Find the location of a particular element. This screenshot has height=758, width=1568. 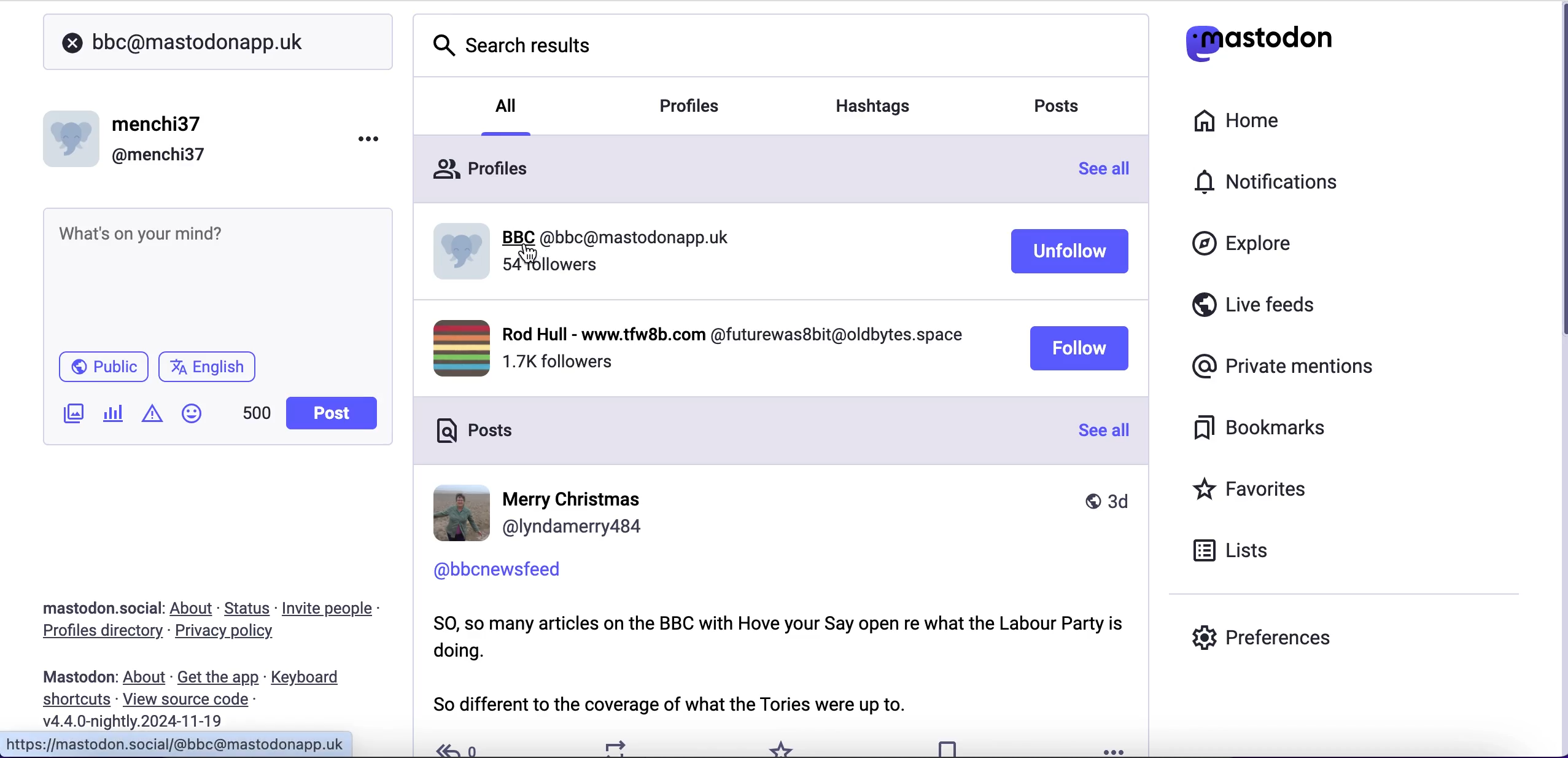

more options is located at coordinates (1114, 751).